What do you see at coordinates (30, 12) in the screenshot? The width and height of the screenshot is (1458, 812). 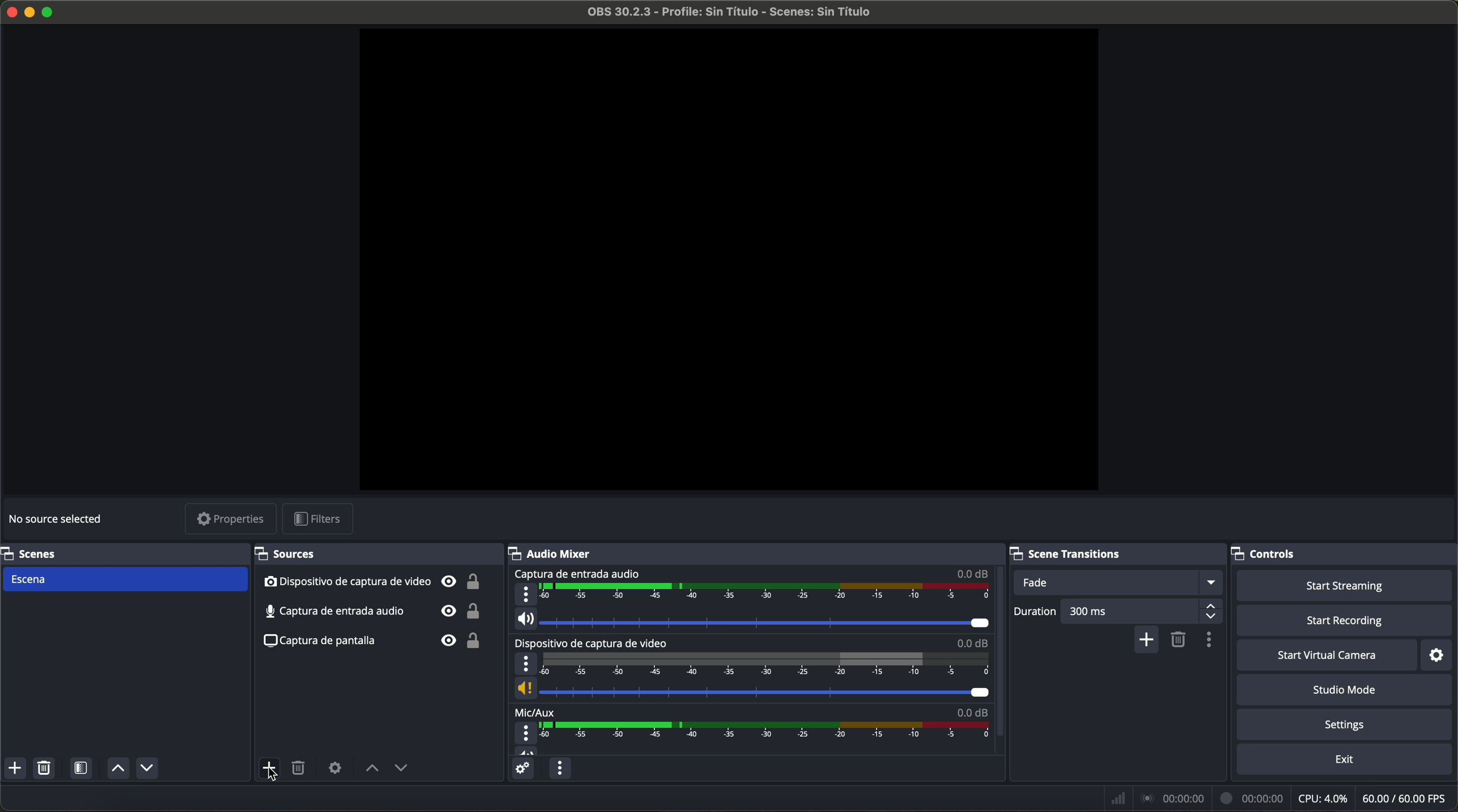 I see `minimize program` at bounding box center [30, 12].